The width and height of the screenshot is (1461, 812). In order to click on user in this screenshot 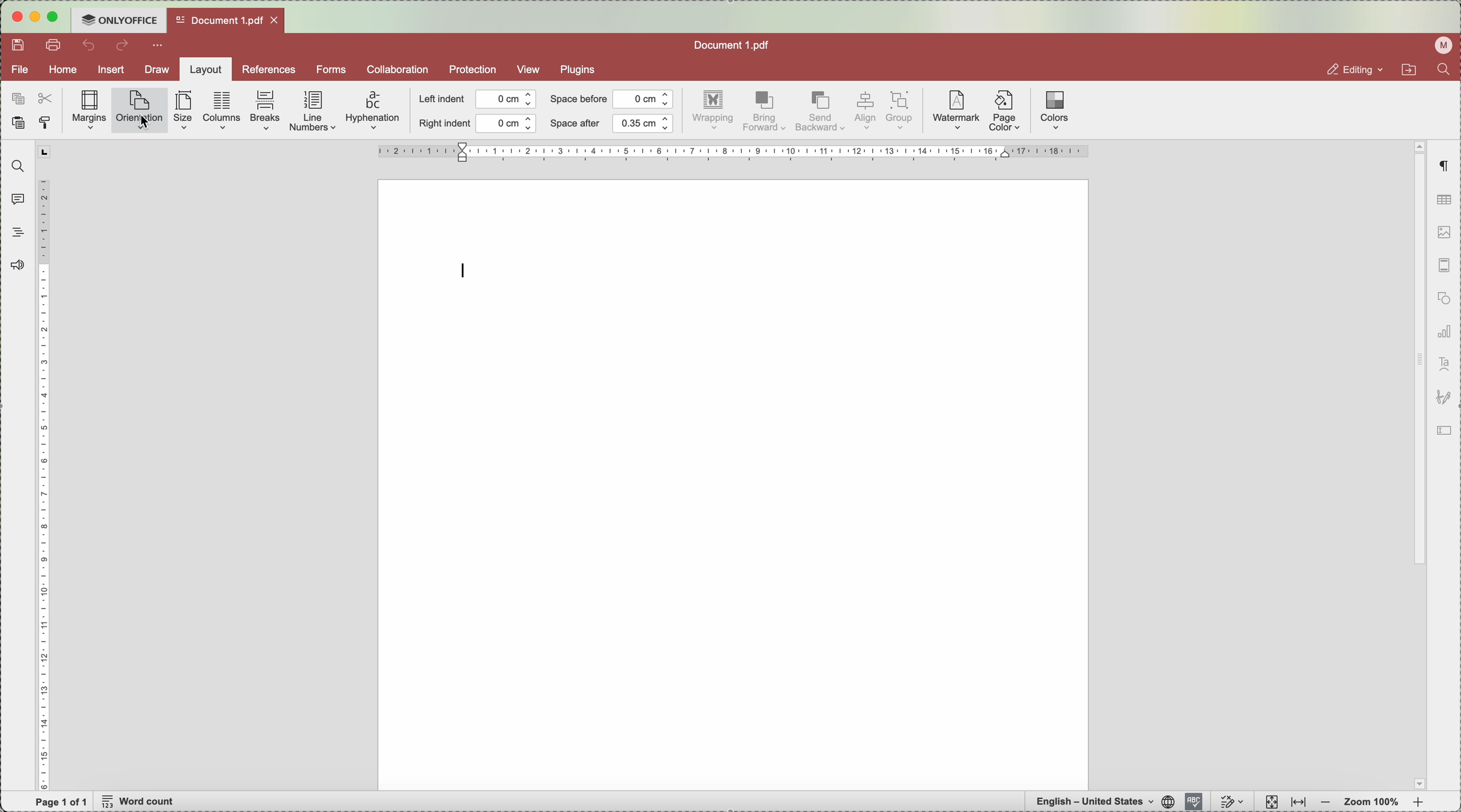, I will do `click(1440, 46)`.